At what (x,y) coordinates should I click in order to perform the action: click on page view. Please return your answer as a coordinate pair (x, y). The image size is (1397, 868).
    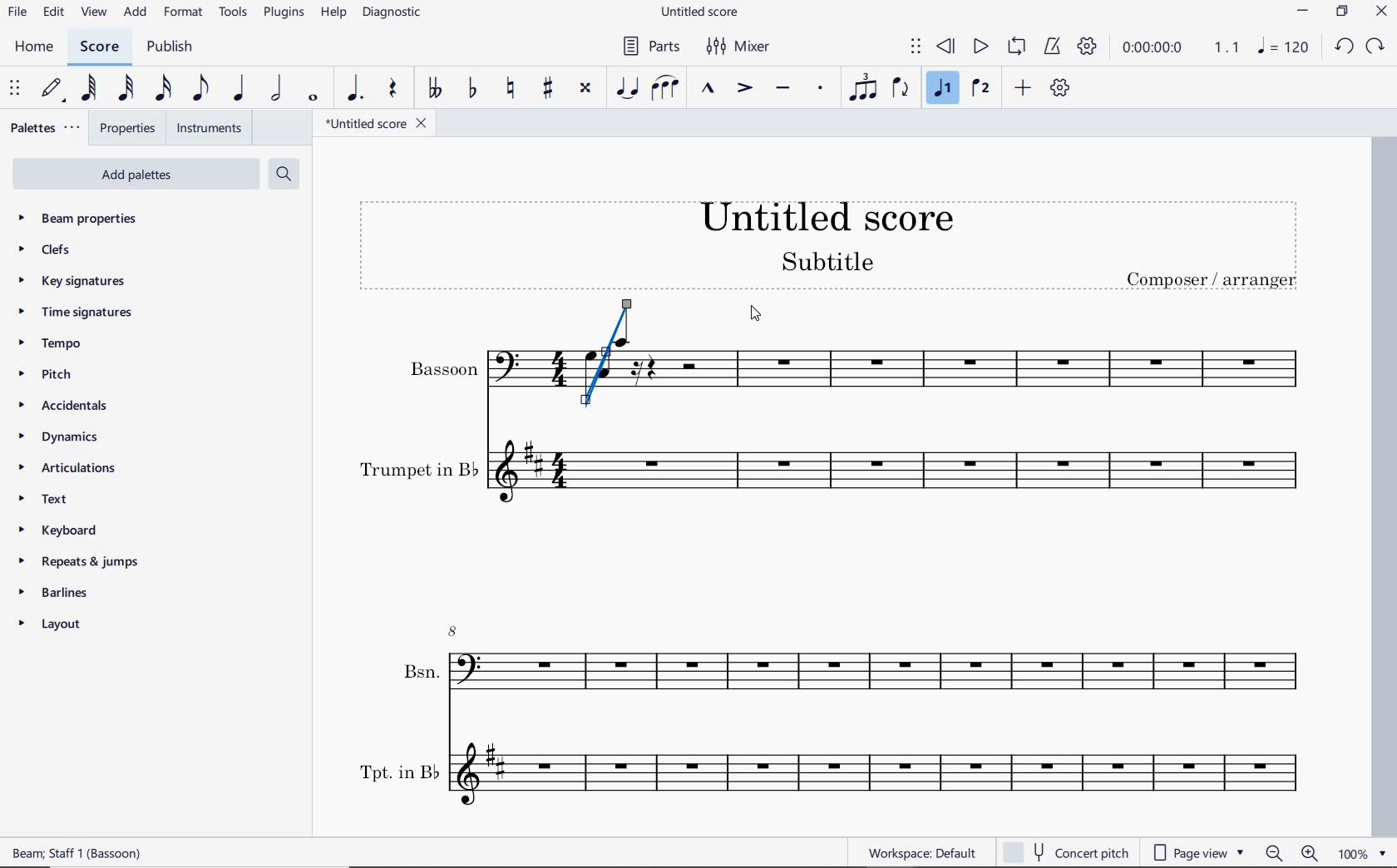
    Looking at the image, I should click on (1194, 851).